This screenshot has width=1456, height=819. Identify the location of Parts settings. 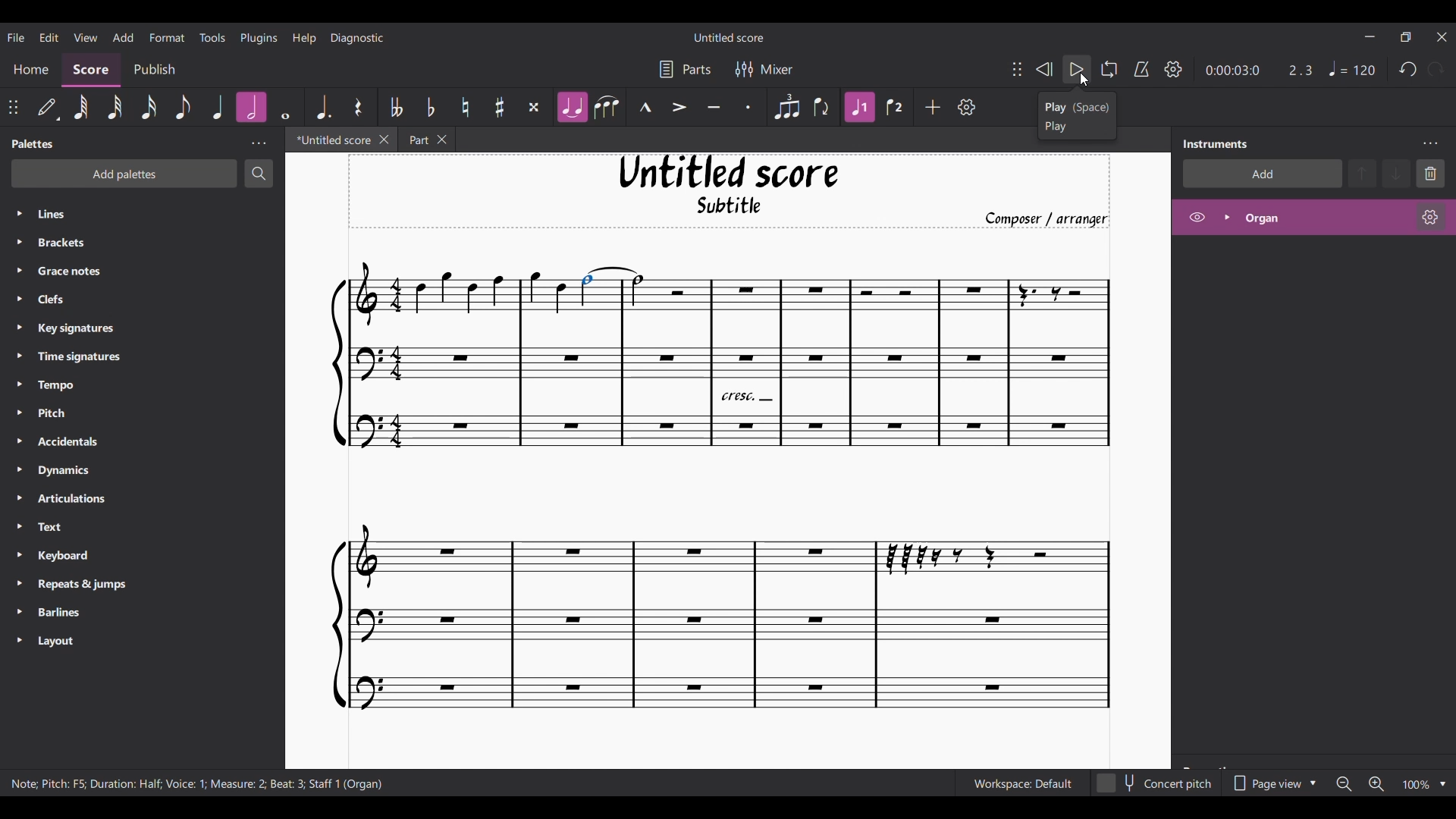
(686, 69).